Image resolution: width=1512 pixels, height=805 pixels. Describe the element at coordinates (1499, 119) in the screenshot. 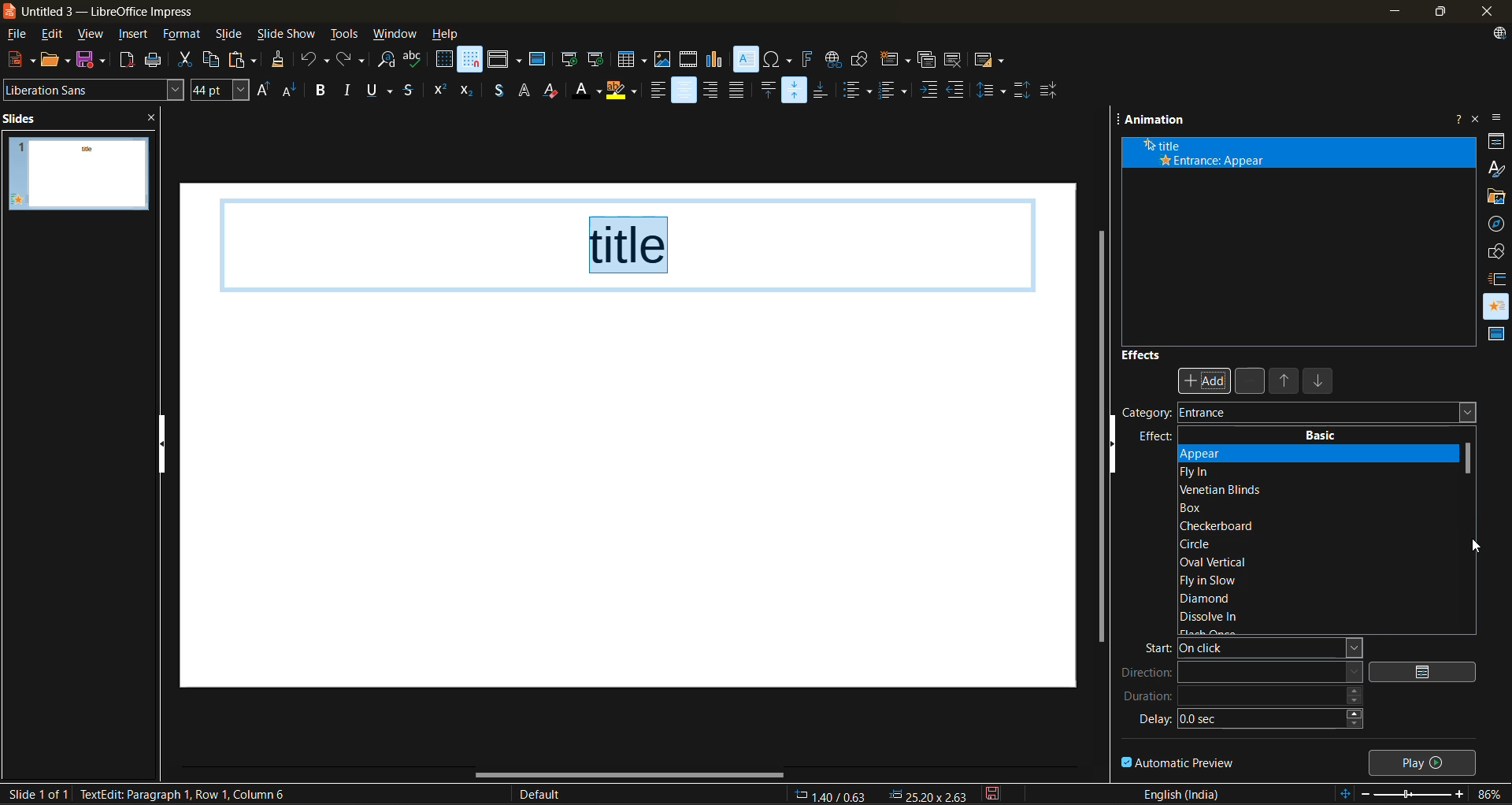

I see `sidebar settings` at that location.